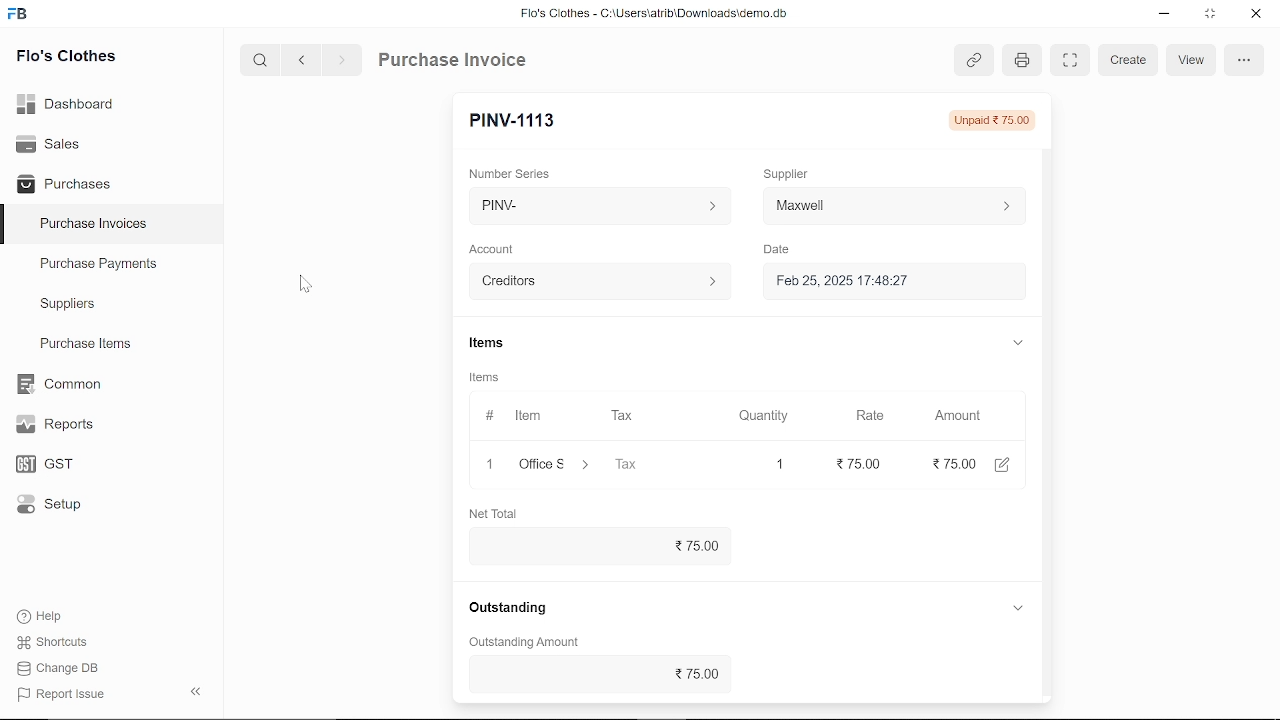 The width and height of the screenshot is (1280, 720). What do you see at coordinates (22, 15) in the screenshot?
I see `frappe books logo` at bounding box center [22, 15].